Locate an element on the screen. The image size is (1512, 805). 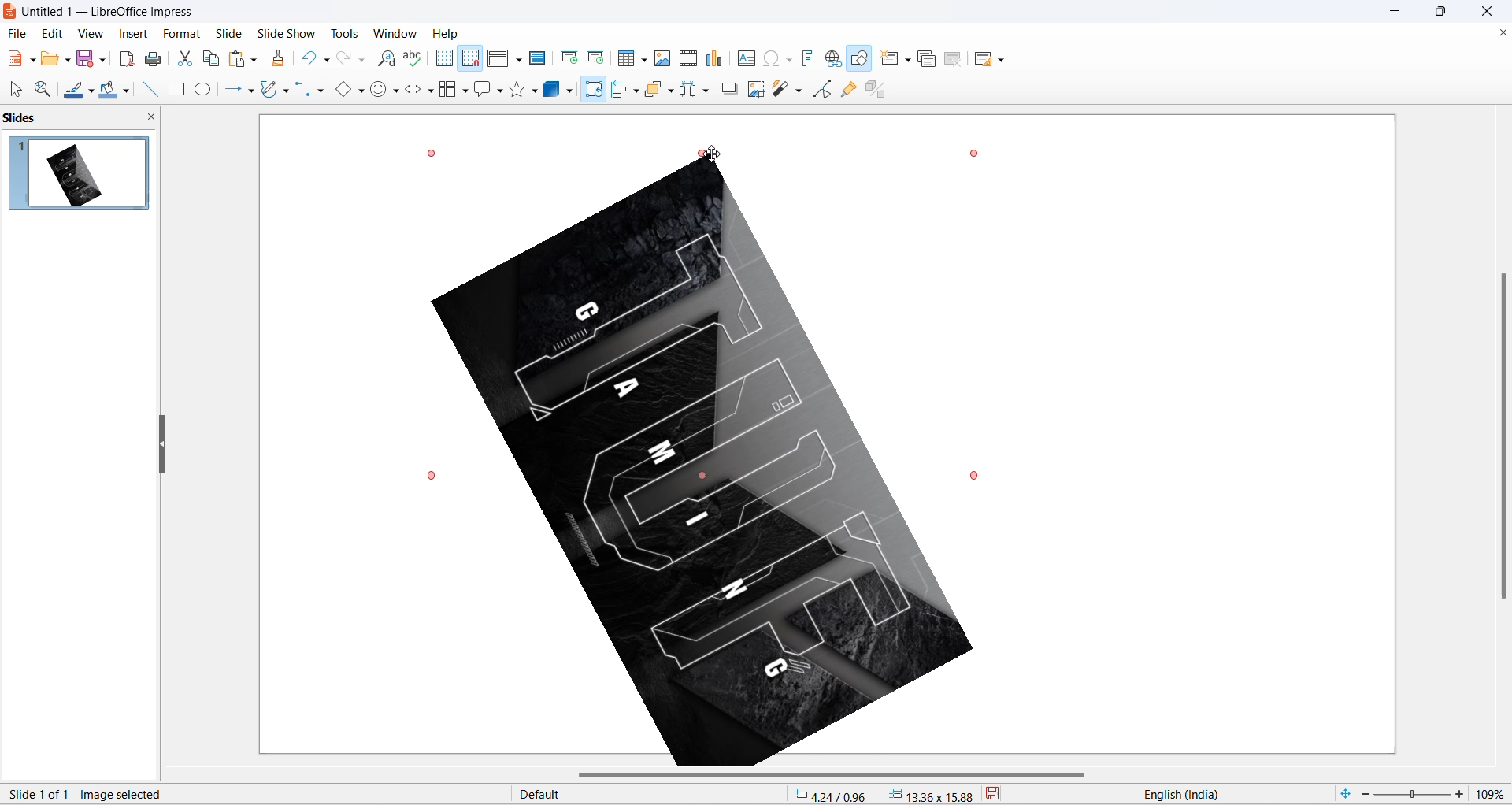
save is located at coordinates (1003, 796).